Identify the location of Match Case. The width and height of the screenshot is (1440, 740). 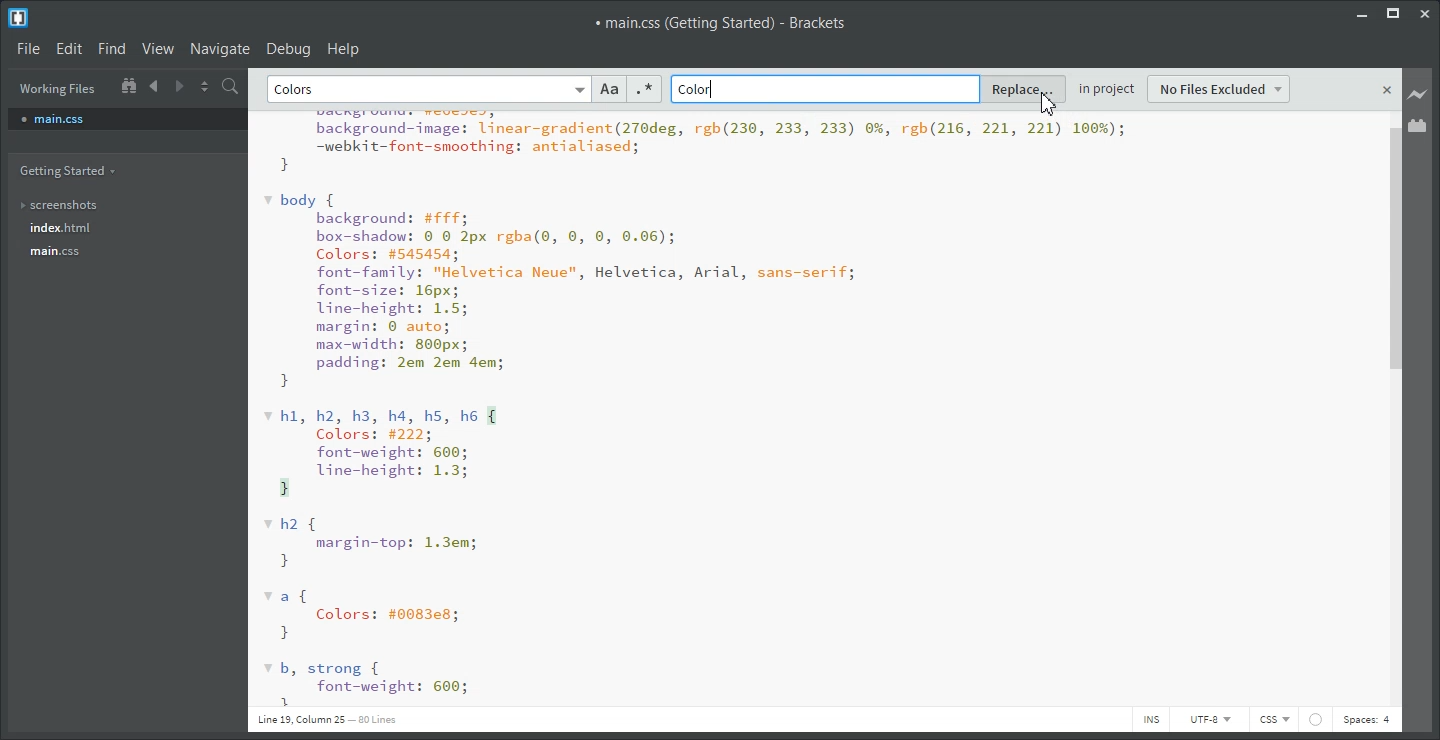
(610, 89).